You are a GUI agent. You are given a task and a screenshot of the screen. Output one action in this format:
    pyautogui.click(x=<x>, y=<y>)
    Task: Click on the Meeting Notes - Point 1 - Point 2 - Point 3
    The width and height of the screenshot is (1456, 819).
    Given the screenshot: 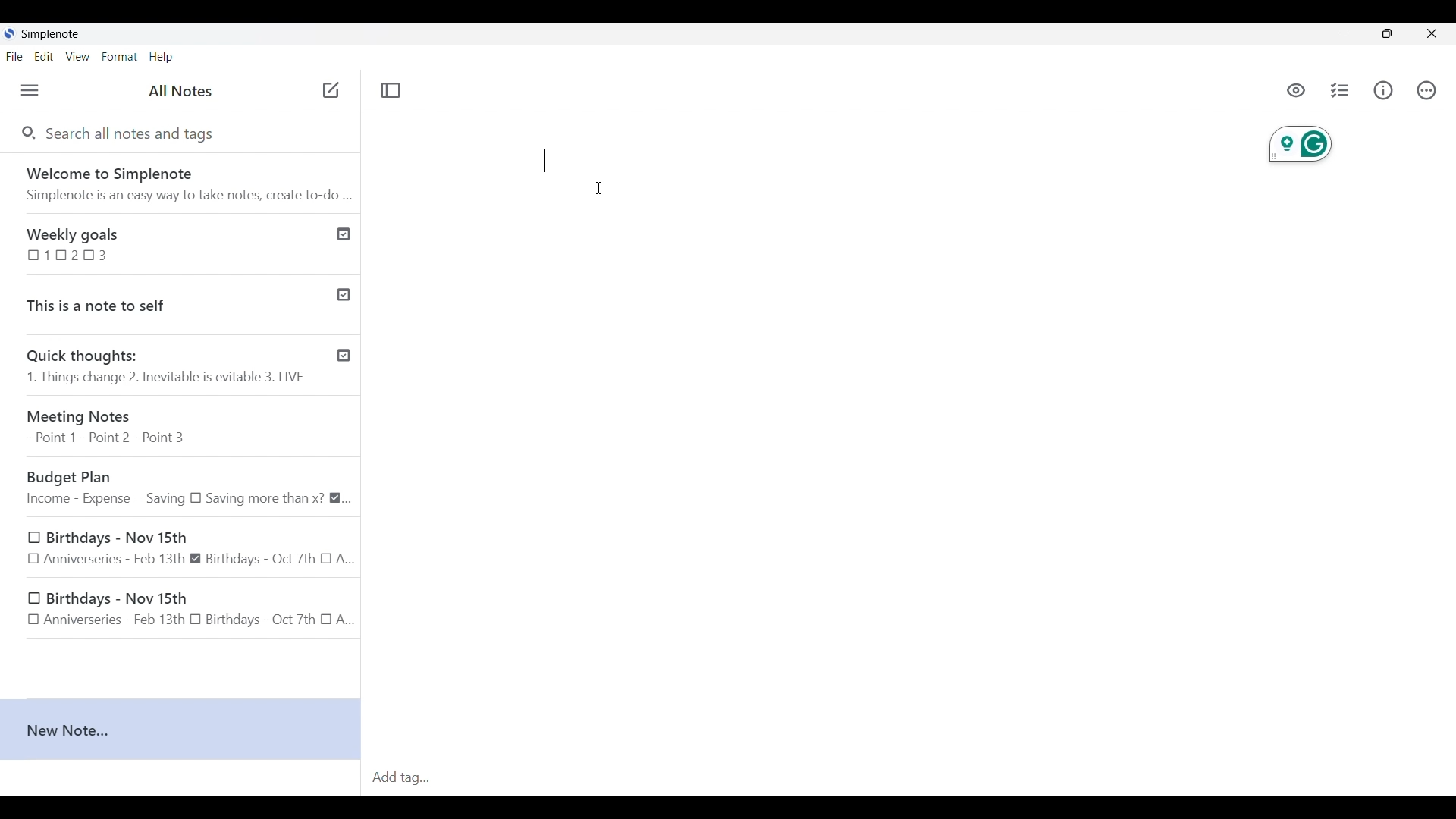 What is the action you would take?
    pyautogui.click(x=186, y=428)
    